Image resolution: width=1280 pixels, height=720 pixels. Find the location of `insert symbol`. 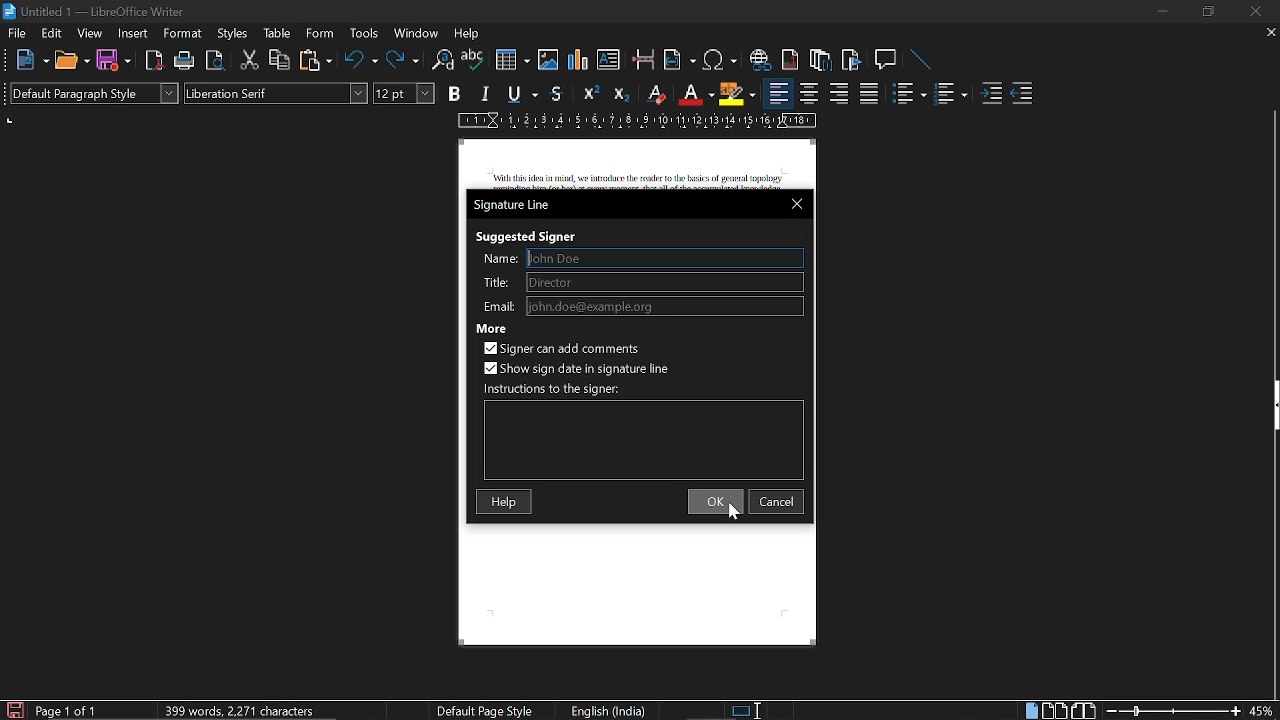

insert symbol is located at coordinates (718, 60).